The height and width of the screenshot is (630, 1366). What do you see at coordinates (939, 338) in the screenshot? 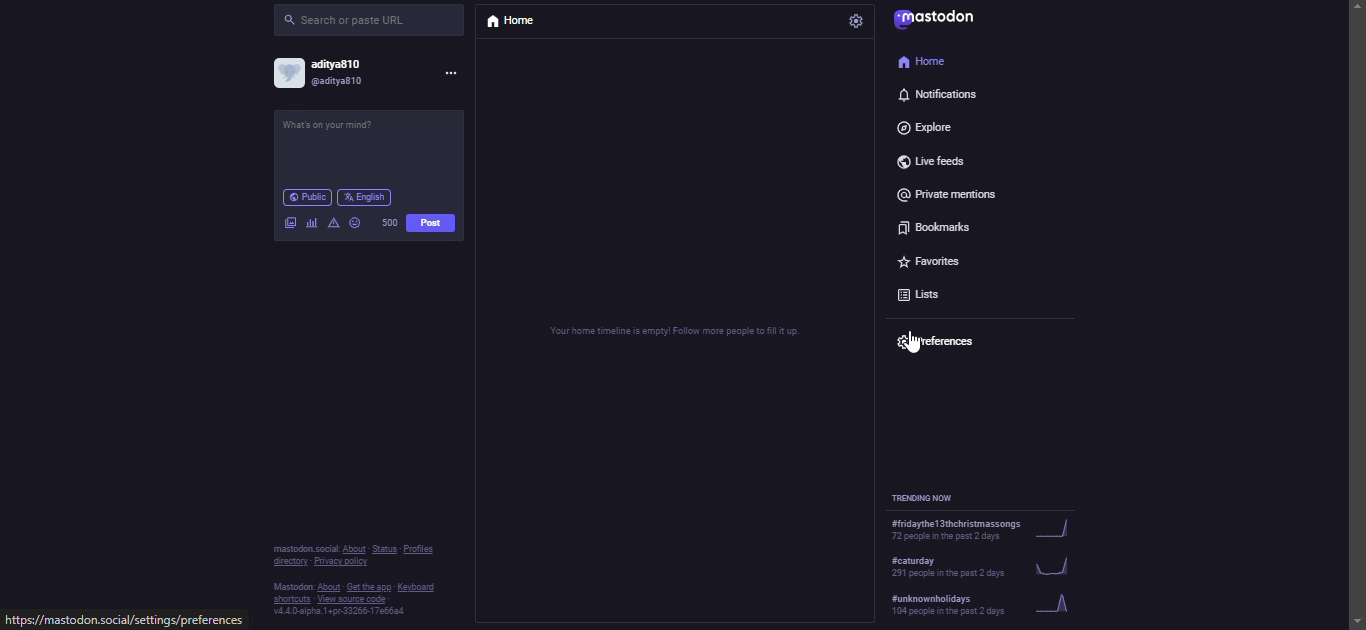
I see `preferences` at bounding box center [939, 338].